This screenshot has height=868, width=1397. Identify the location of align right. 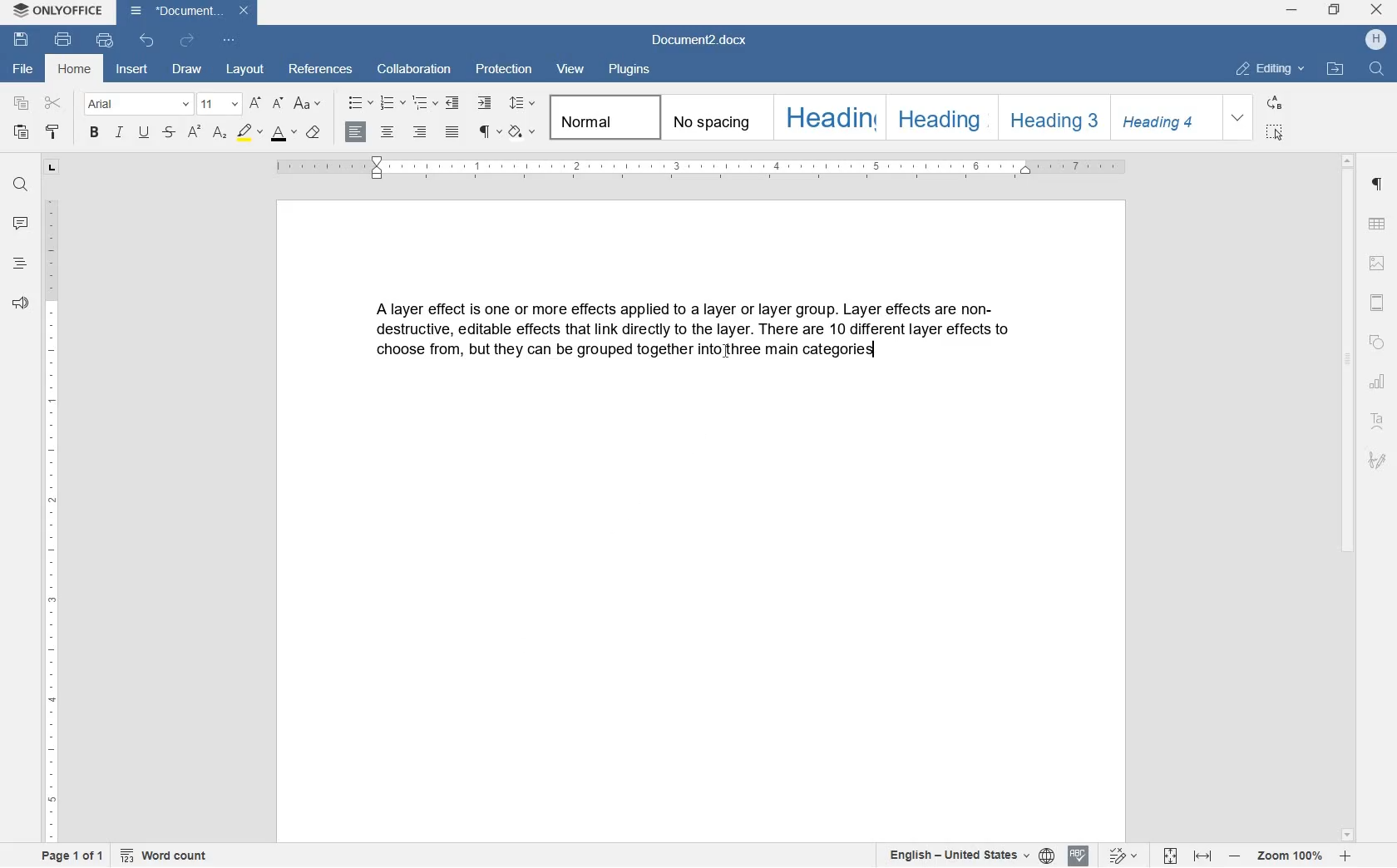
(422, 133).